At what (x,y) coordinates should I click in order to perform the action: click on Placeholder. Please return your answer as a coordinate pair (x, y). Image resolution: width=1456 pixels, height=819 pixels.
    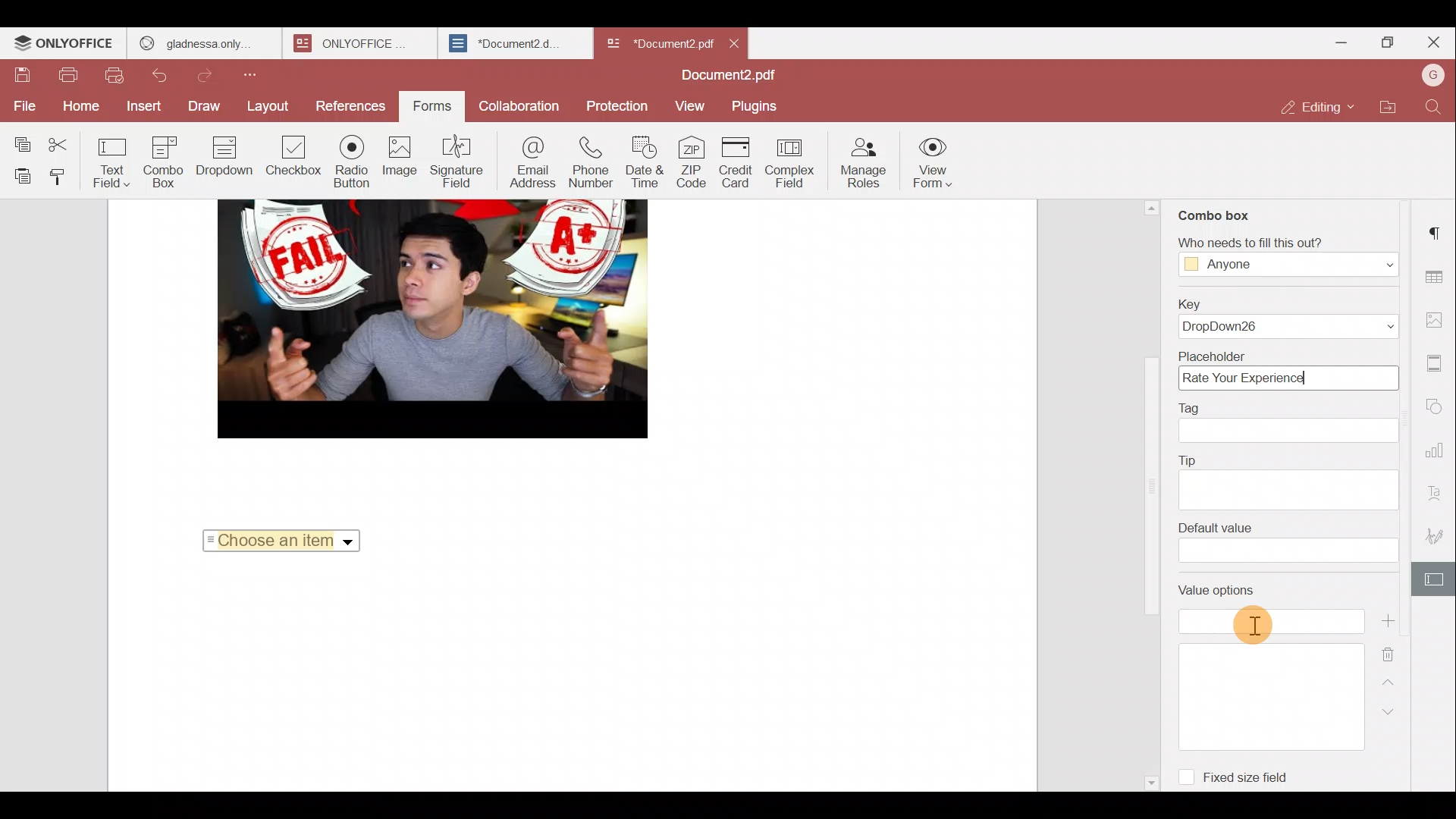
    Looking at the image, I should click on (1286, 369).